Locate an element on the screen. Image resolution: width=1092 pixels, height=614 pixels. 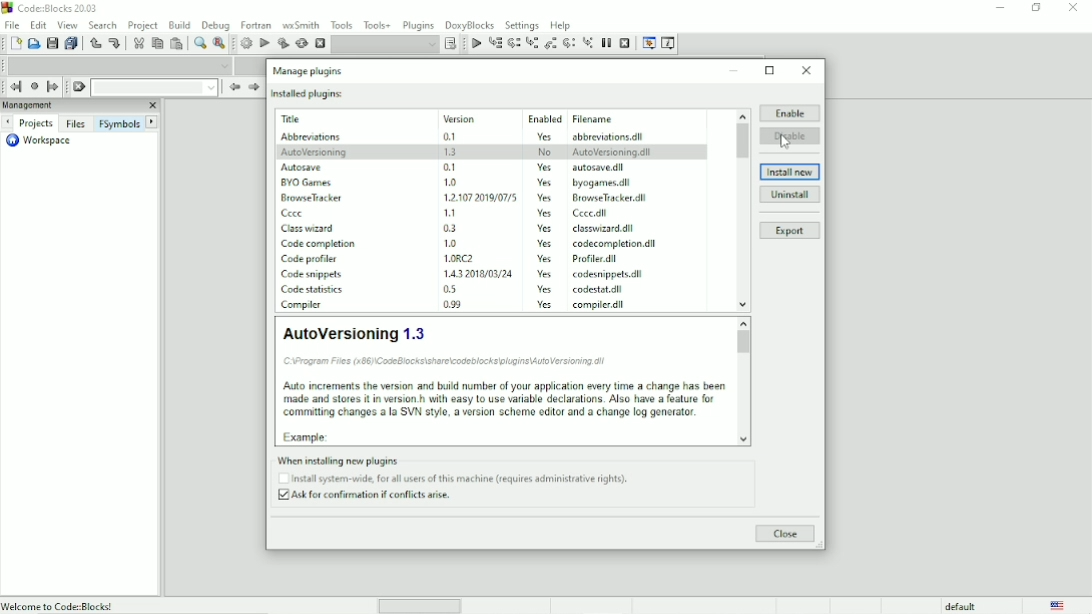
AutoVersioning 1.3 is located at coordinates (352, 332).